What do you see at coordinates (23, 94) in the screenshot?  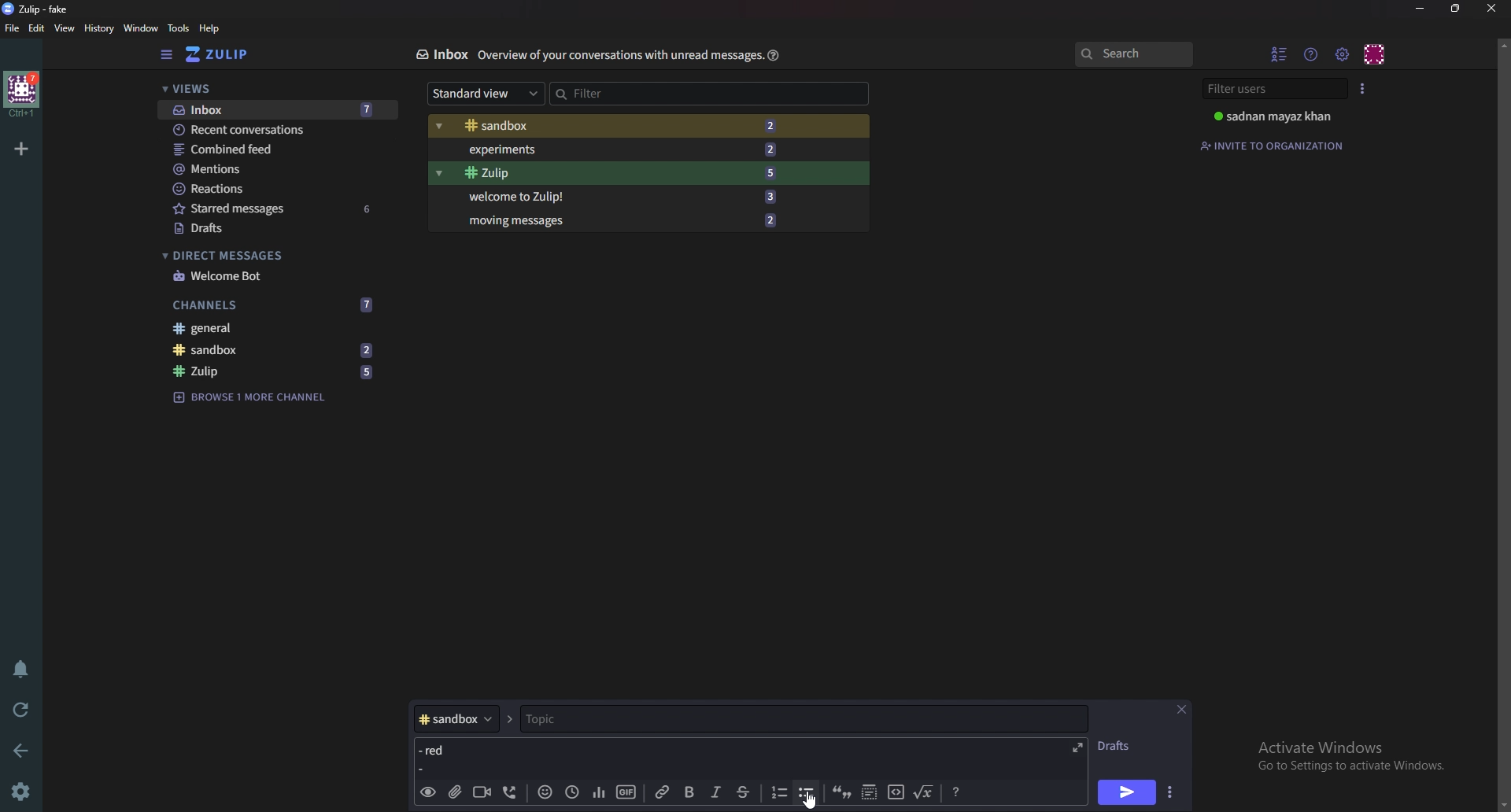 I see `Home` at bounding box center [23, 94].